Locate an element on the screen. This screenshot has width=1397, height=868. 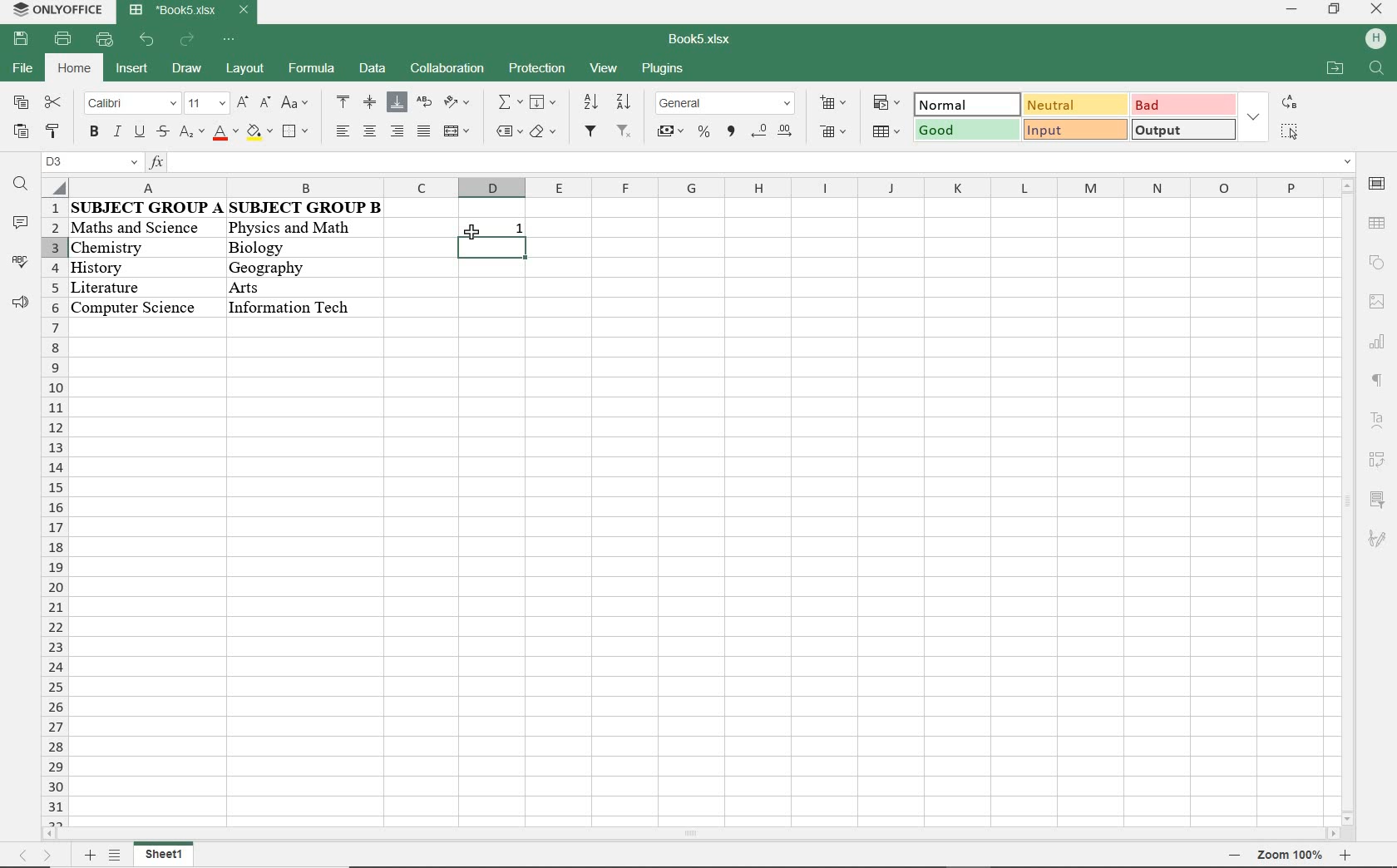
sign is located at coordinates (1377, 36).